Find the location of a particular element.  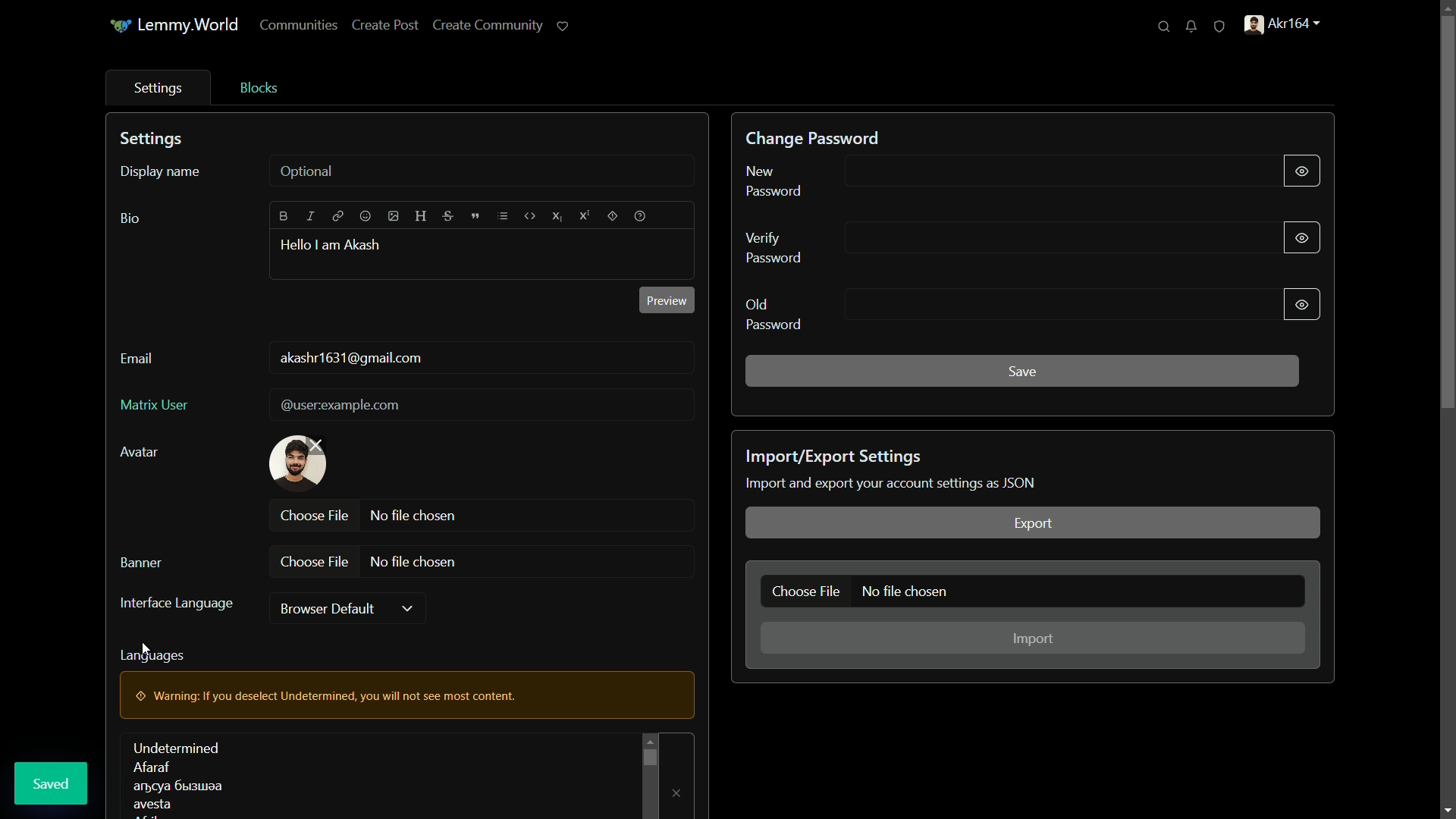

show/hide is located at coordinates (1304, 306).